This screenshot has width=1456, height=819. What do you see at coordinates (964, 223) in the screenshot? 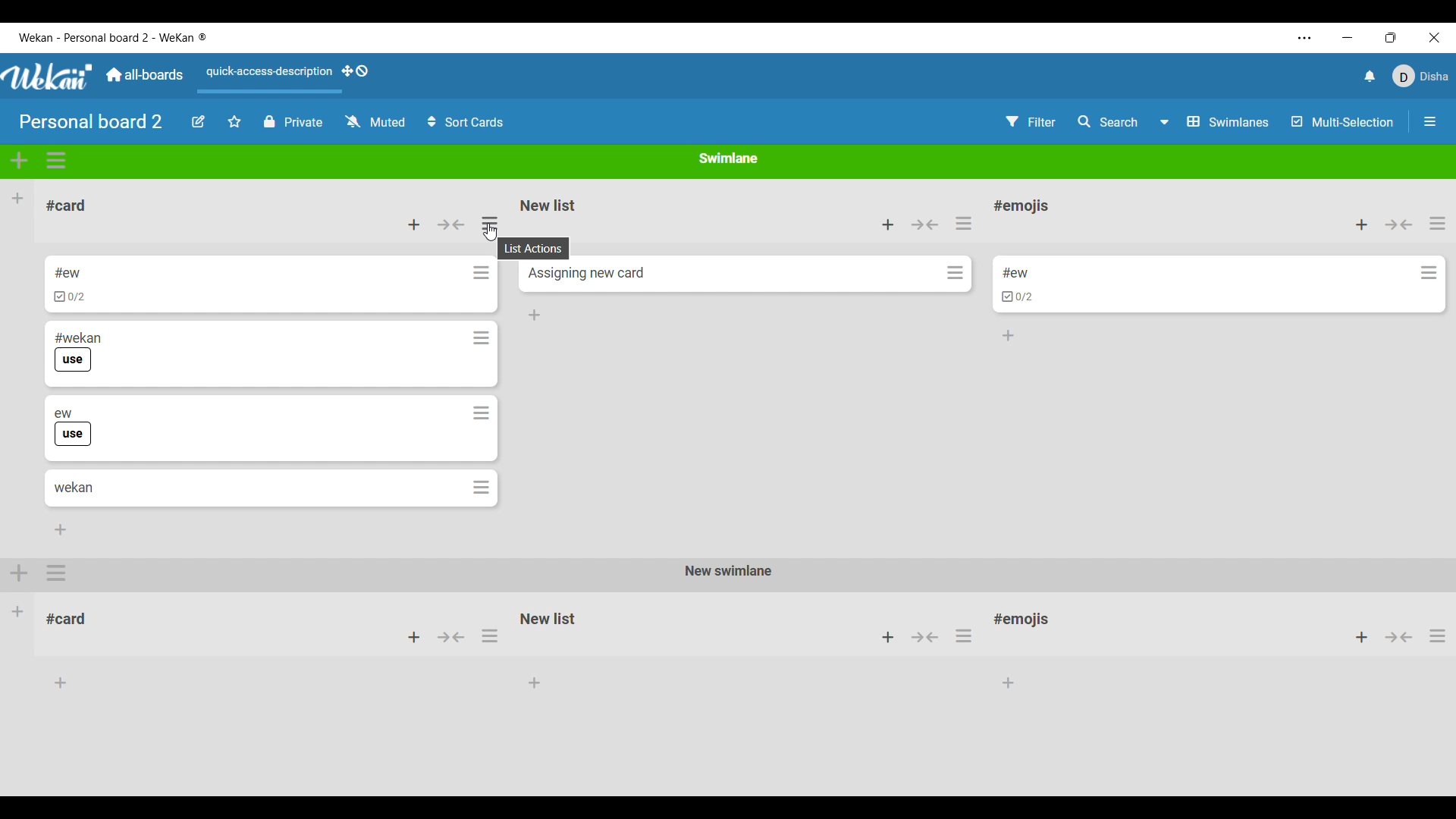
I see `List actions` at bounding box center [964, 223].